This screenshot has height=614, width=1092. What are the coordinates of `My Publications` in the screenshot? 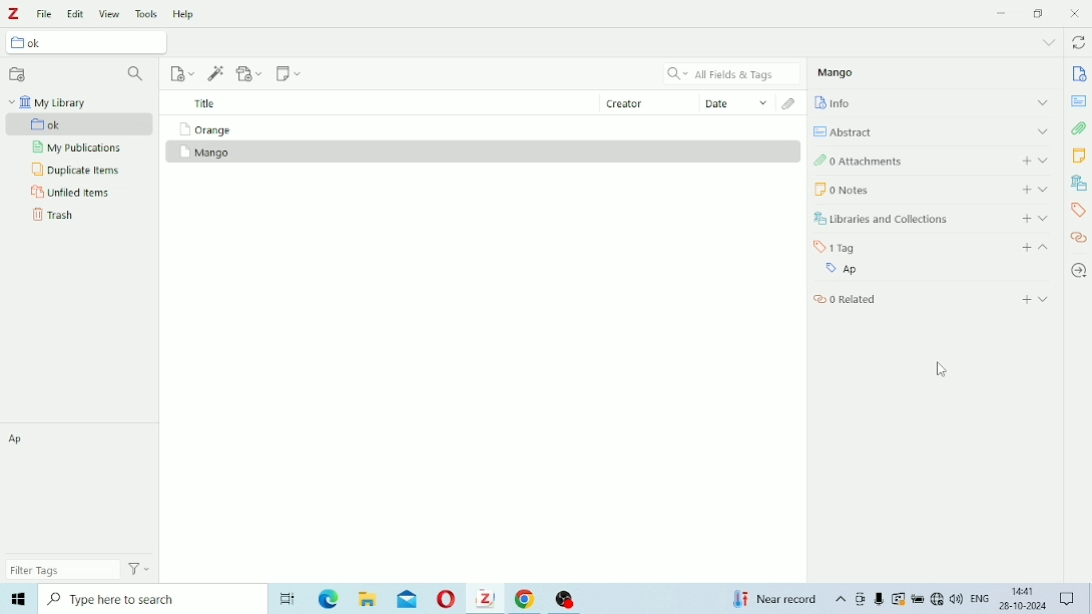 It's located at (78, 148).